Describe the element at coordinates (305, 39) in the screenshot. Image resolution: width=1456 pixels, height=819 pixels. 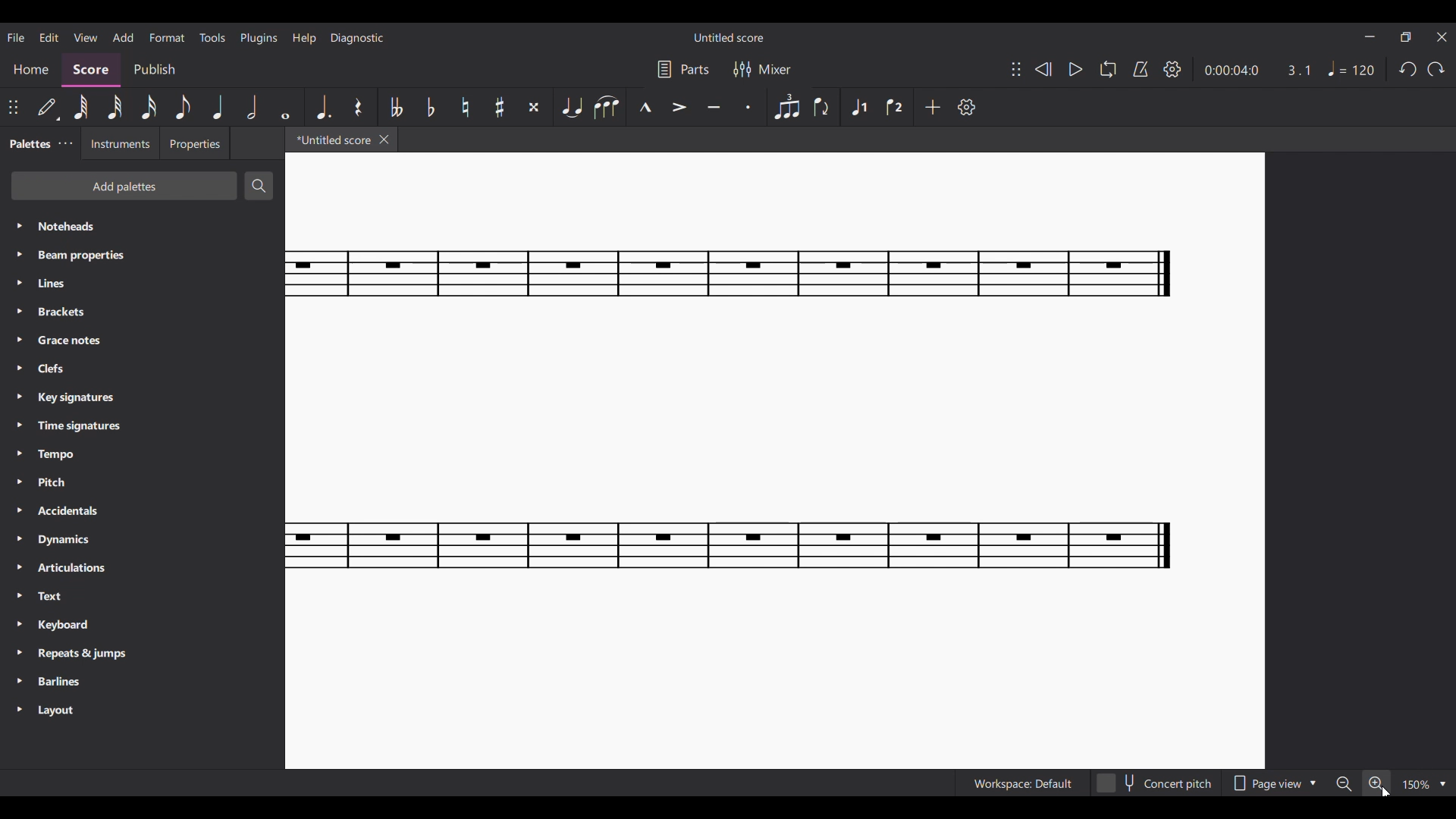
I see `Help menu` at that location.